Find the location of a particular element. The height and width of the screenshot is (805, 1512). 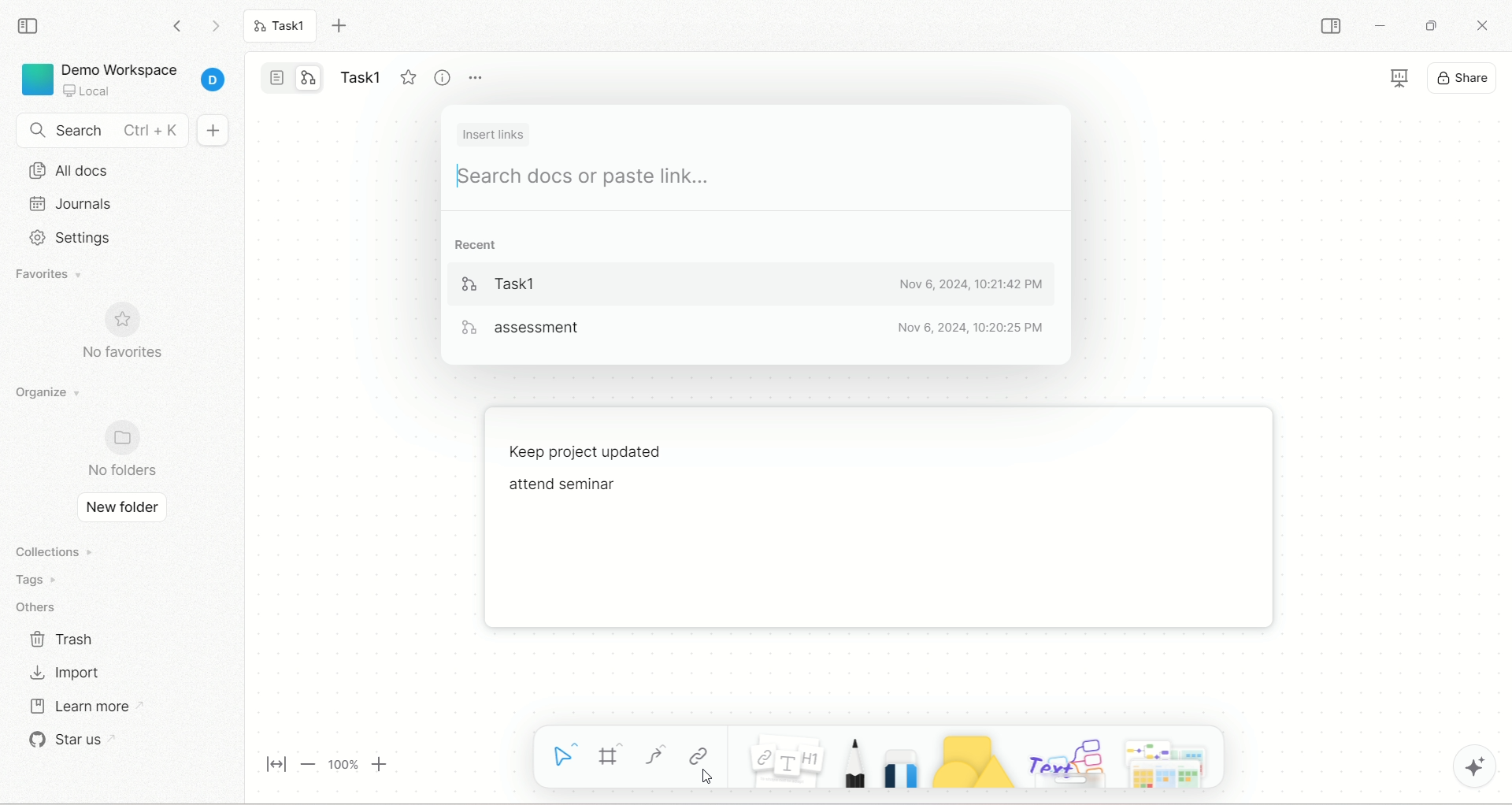

project - Demo Workspace is located at coordinates (124, 76).